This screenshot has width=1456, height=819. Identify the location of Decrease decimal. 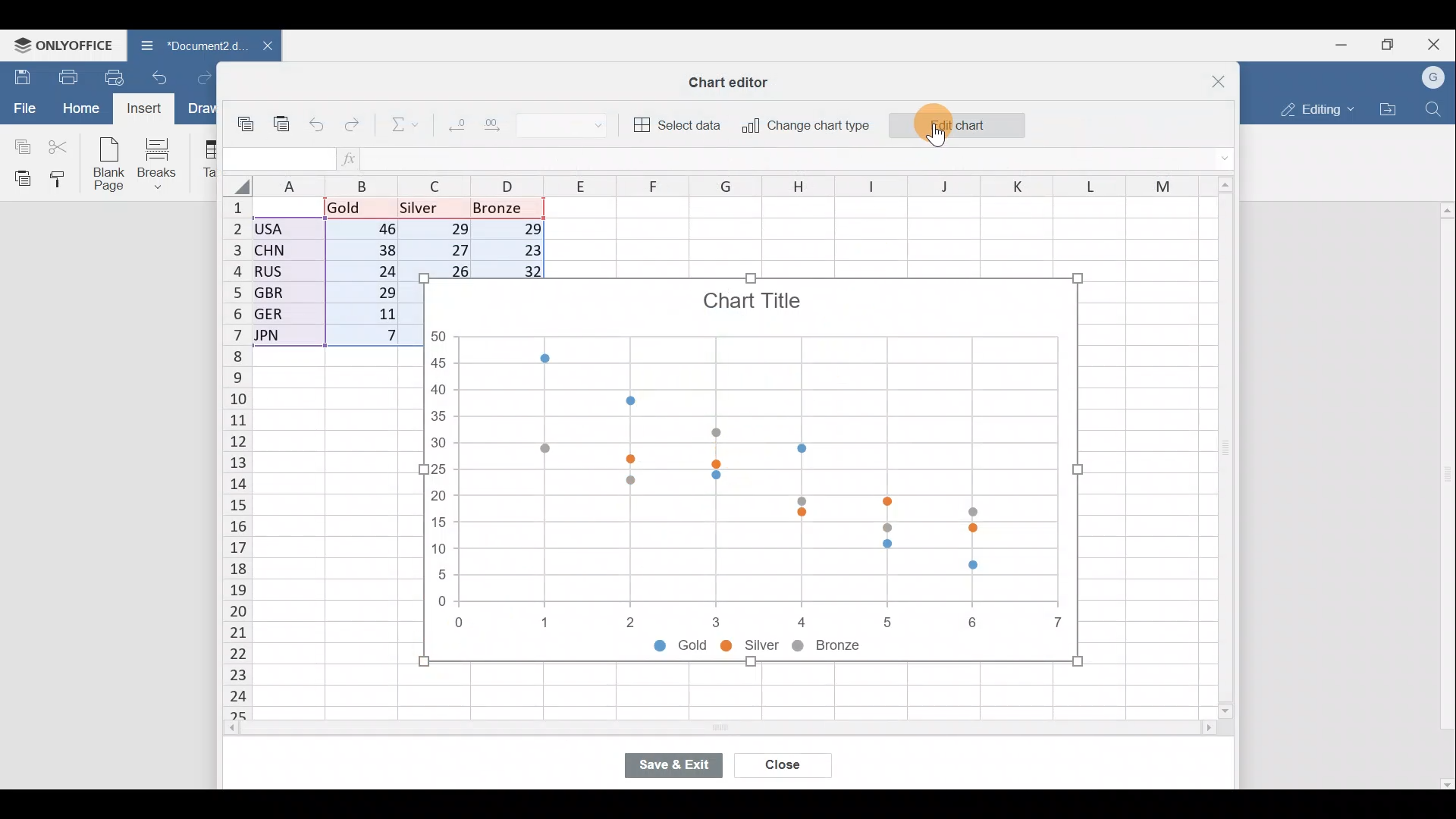
(453, 128).